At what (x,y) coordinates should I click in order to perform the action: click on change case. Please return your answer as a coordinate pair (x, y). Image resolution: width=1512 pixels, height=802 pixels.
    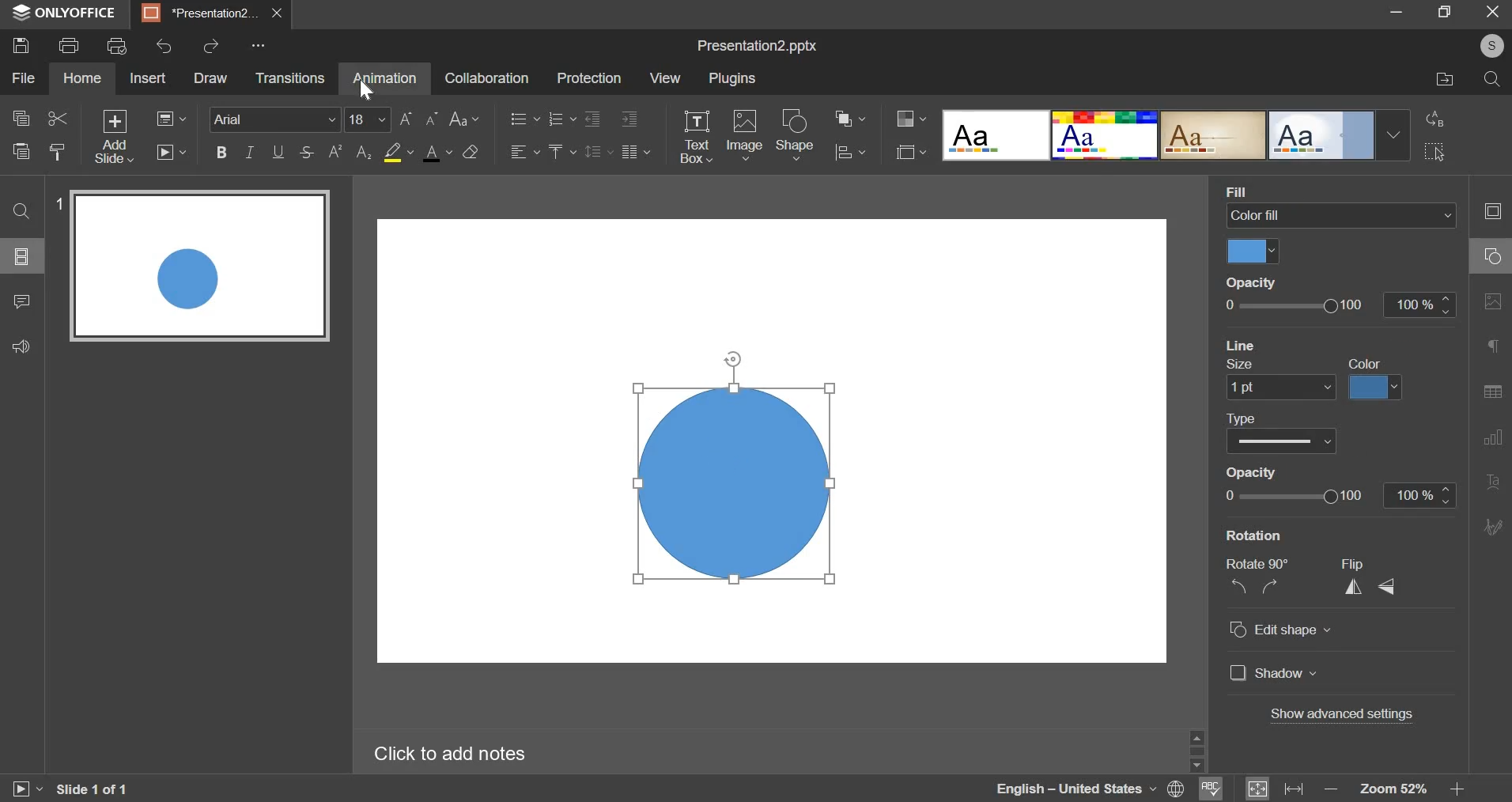
    Looking at the image, I should click on (464, 119).